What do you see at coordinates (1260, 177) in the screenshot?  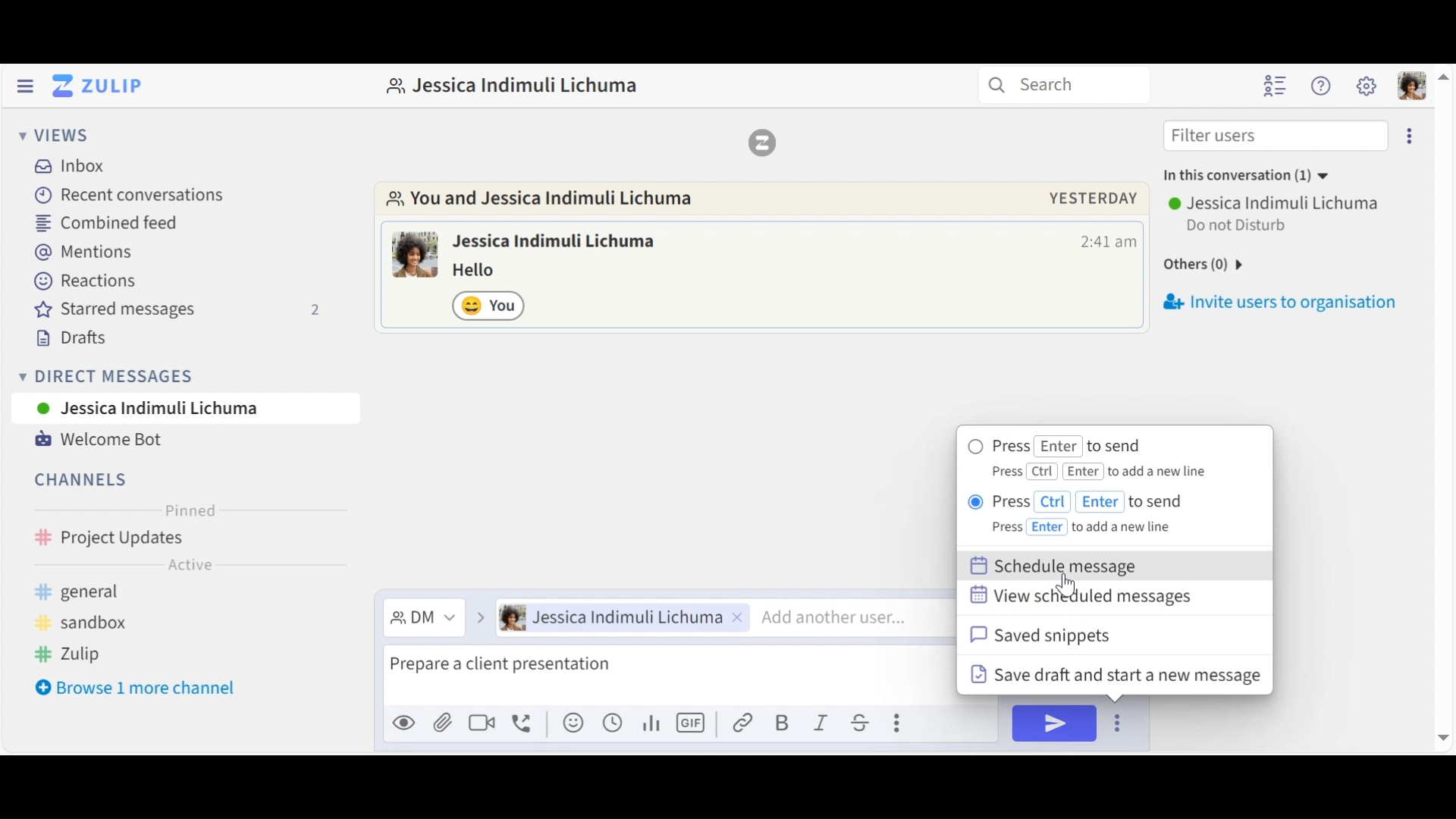 I see `in this conversation(1)` at bounding box center [1260, 177].